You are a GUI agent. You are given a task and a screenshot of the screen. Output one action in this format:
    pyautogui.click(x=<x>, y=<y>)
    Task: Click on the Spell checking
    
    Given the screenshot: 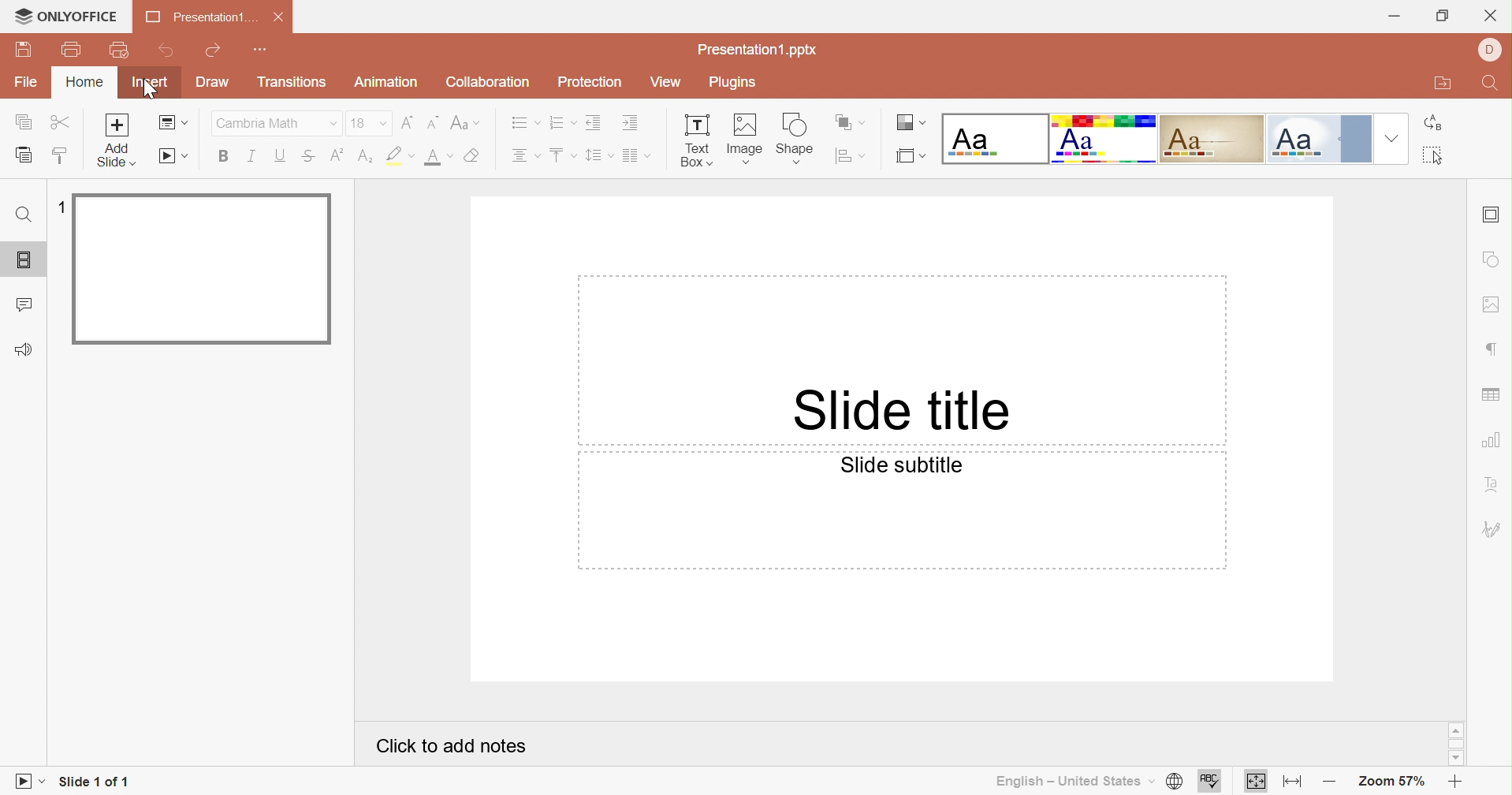 What is the action you would take?
    pyautogui.click(x=1208, y=782)
    